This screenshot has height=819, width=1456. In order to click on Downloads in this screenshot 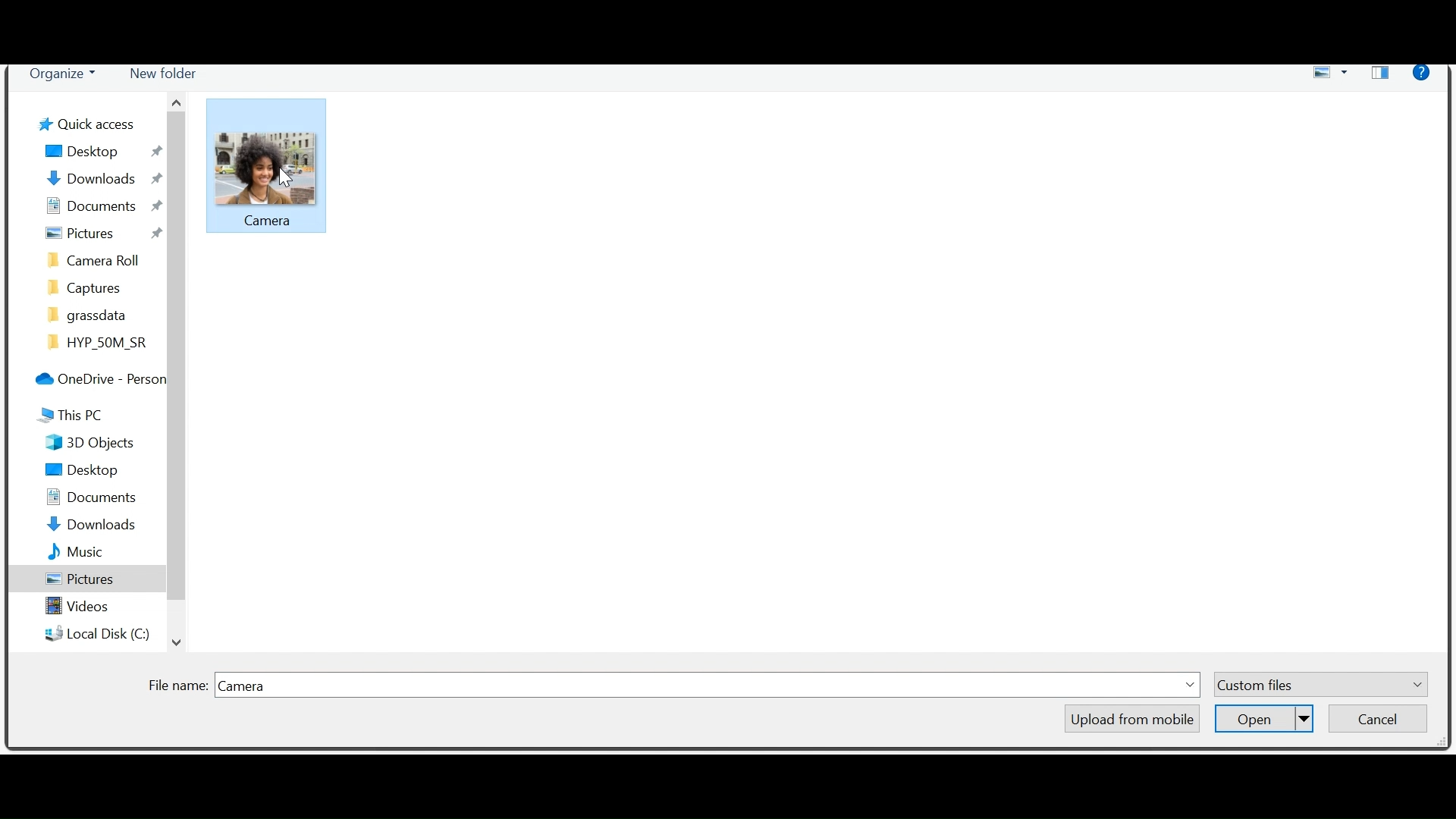, I will do `click(93, 524)`.